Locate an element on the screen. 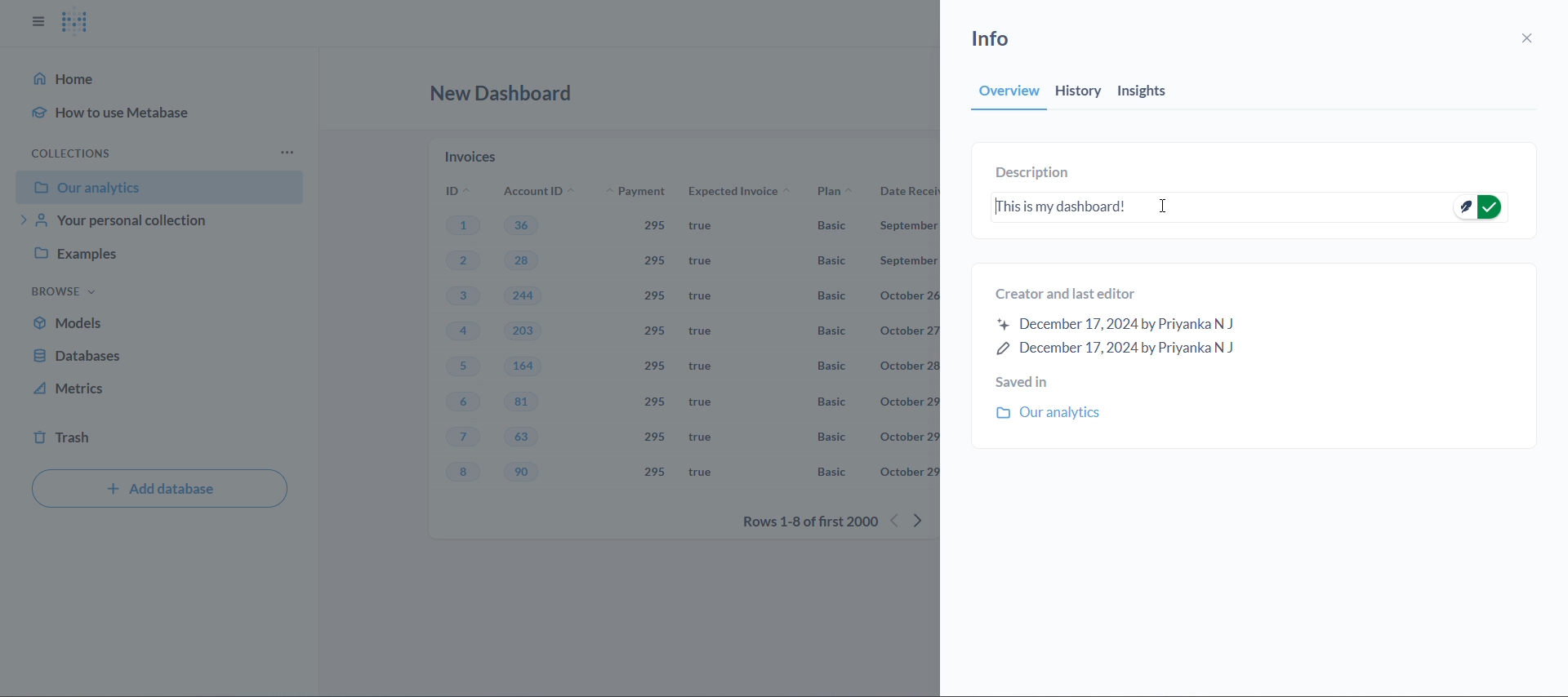 Image resolution: width=1568 pixels, height=697 pixels. examples is located at coordinates (154, 256).